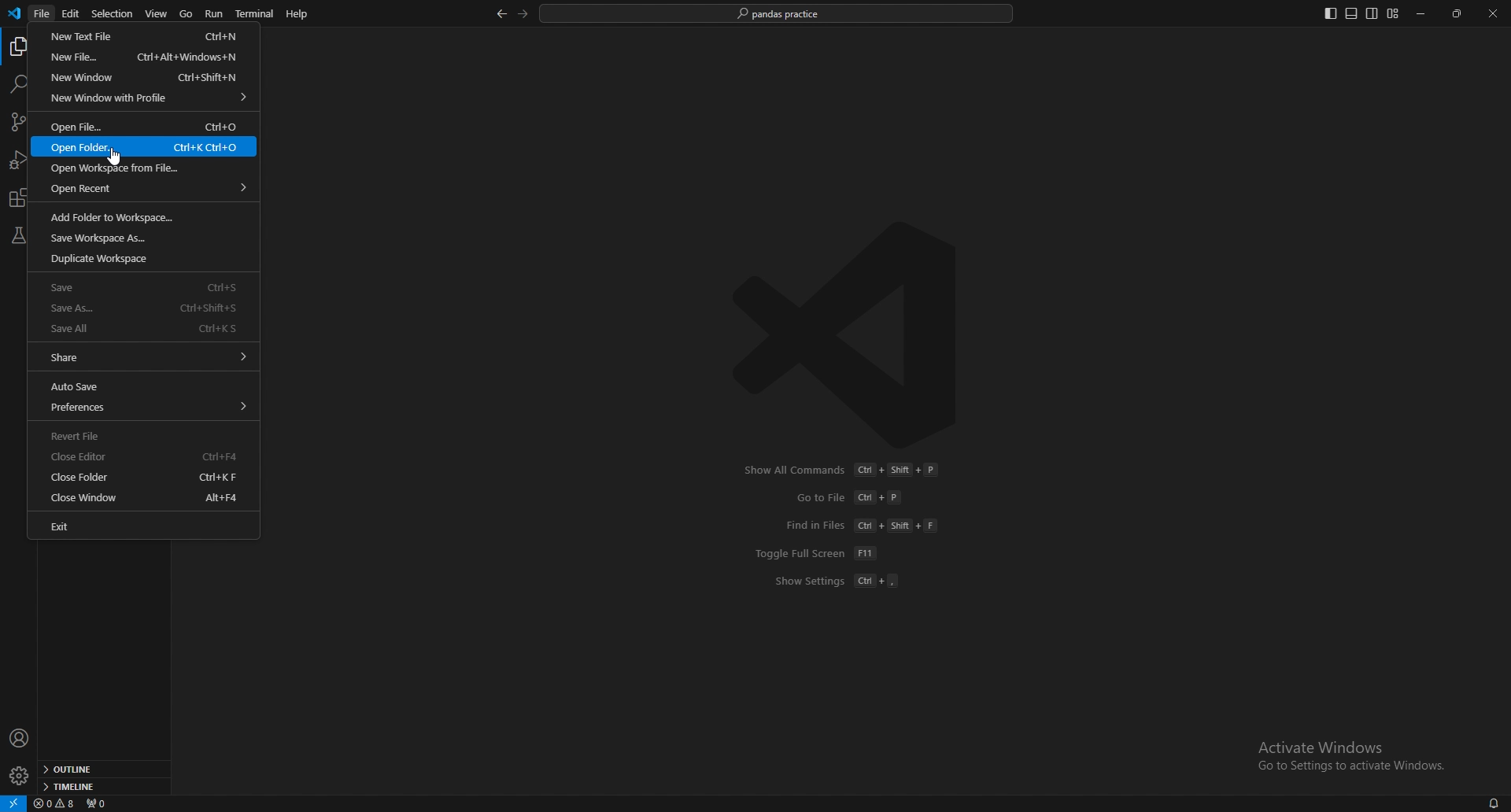 This screenshot has width=1511, height=812. What do you see at coordinates (157, 14) in the screenshot?
I see `view` at bounding box center [157, 14].